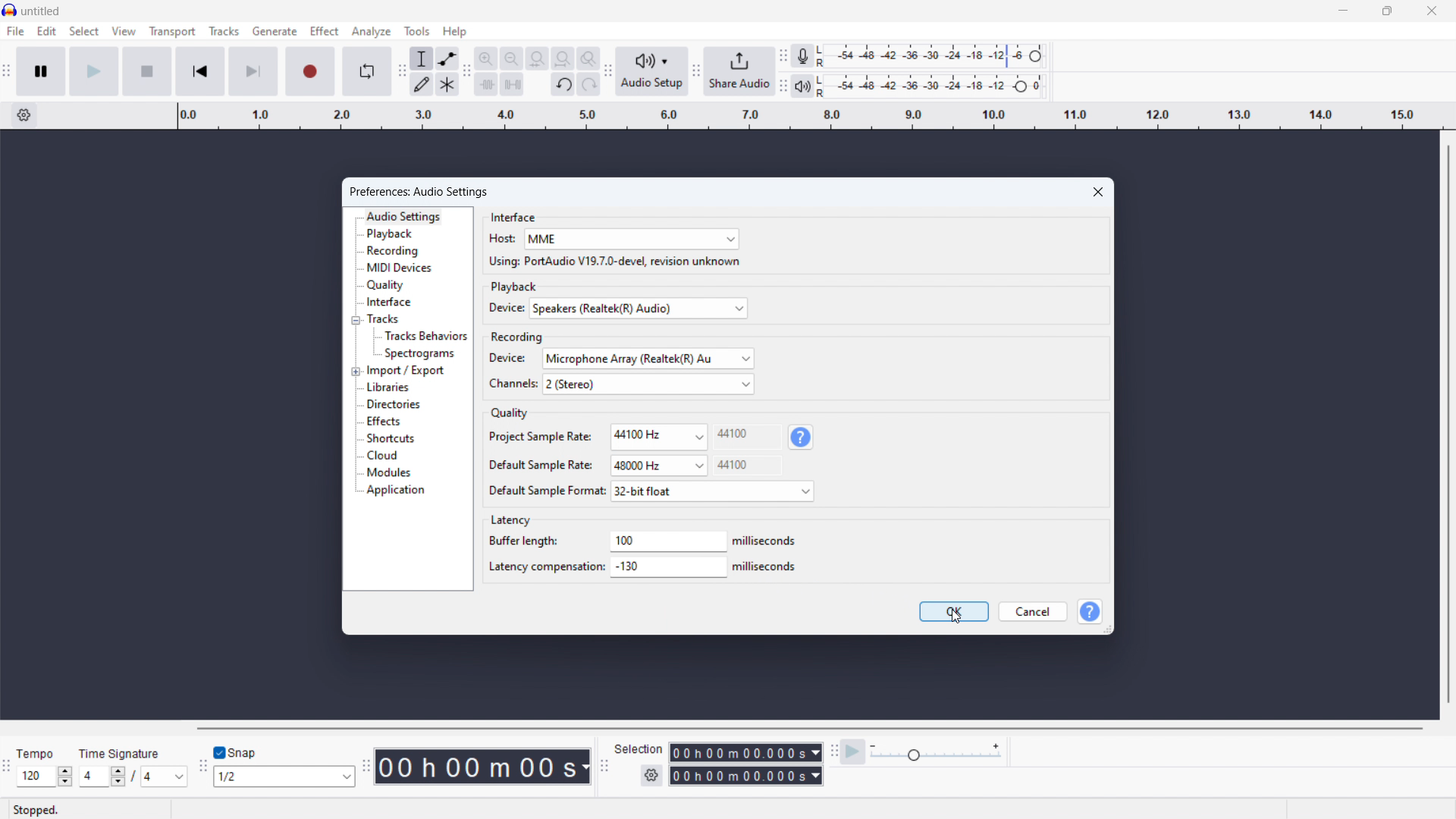 This screenshot has width=1456, height=819. I want to click on playback, so click(391, 234).